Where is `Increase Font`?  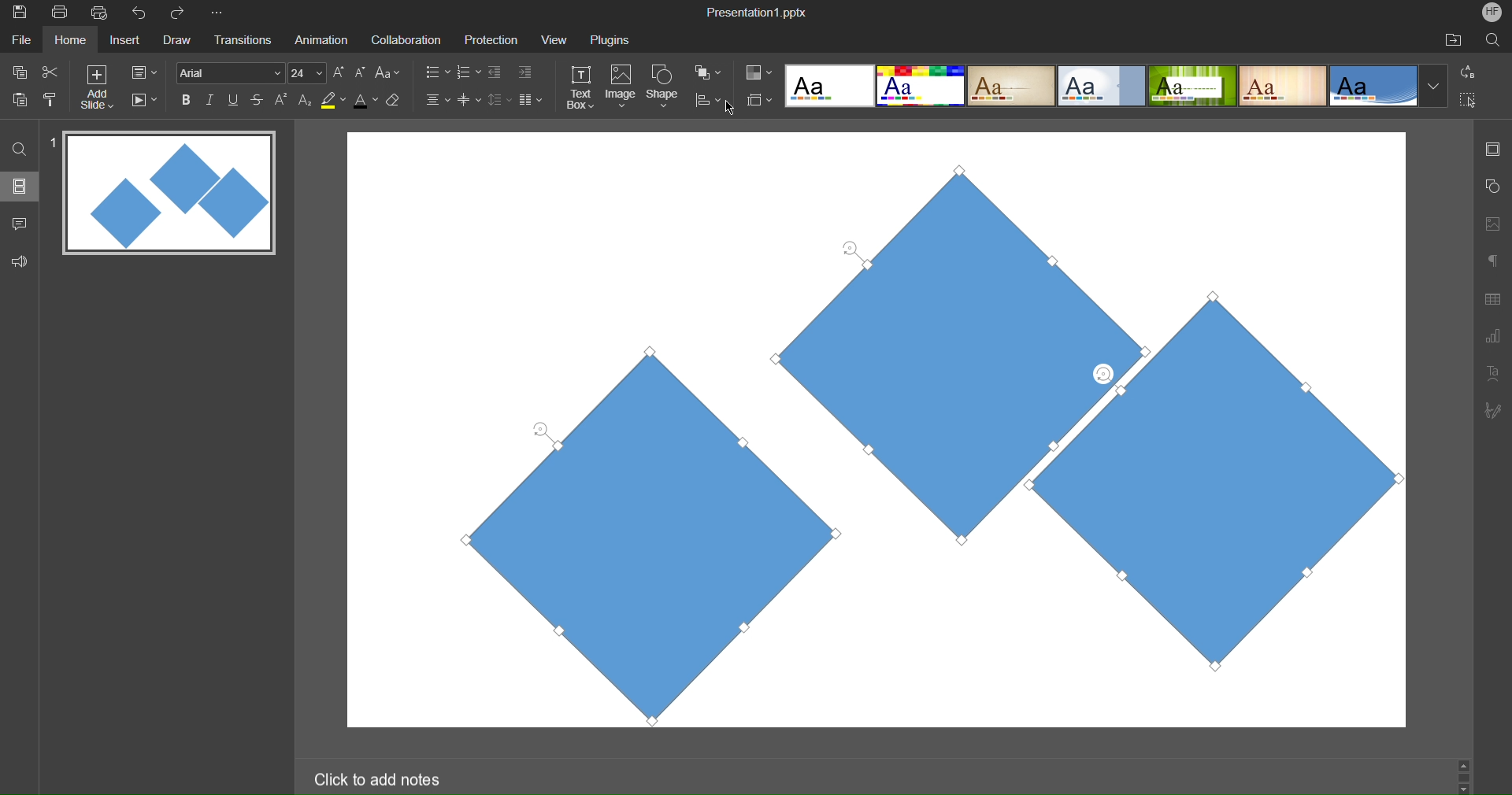
Increase Font is located at coordinates (339, 72).